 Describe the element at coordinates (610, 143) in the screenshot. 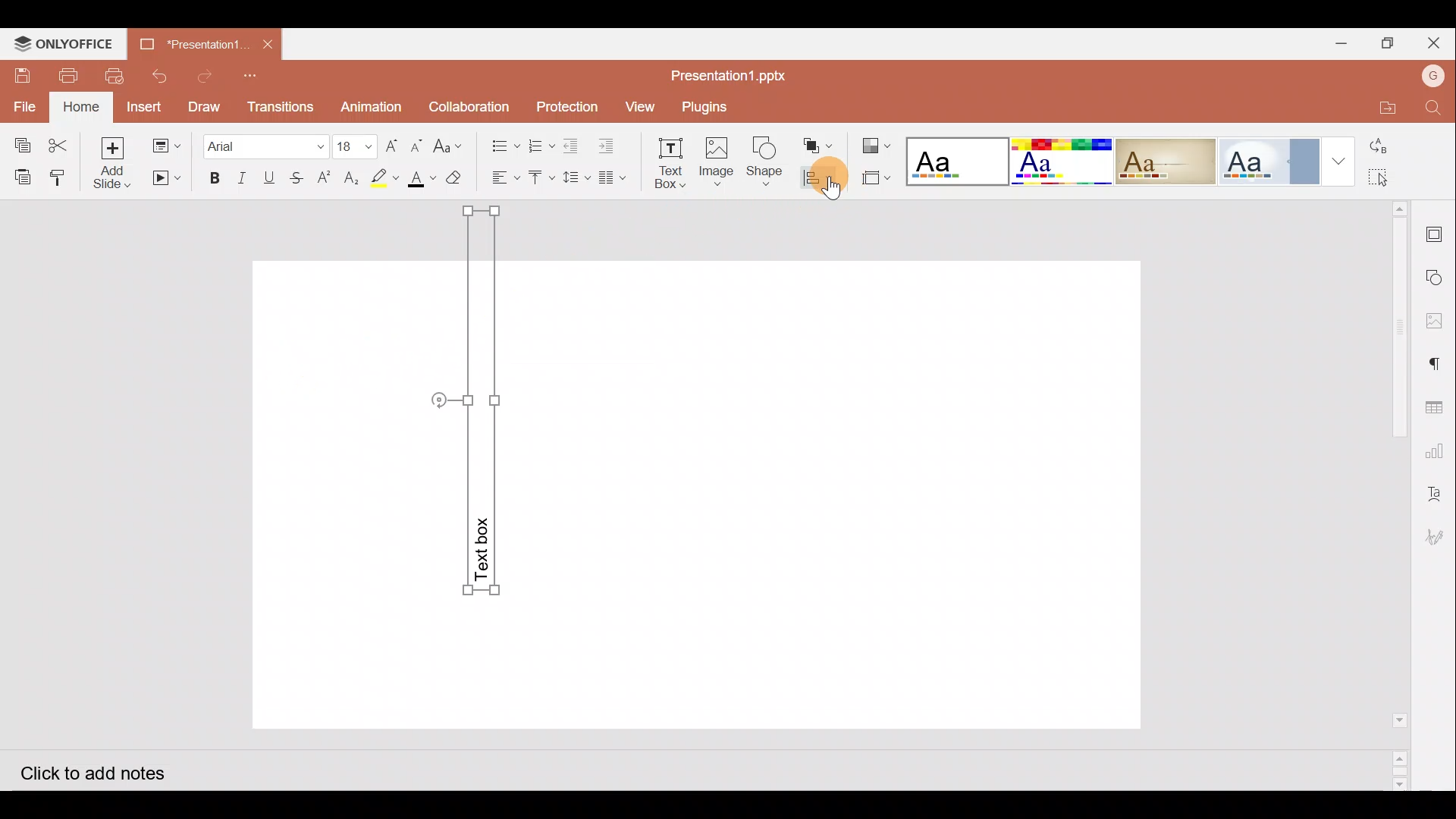

I see `Increase indent` at that location.